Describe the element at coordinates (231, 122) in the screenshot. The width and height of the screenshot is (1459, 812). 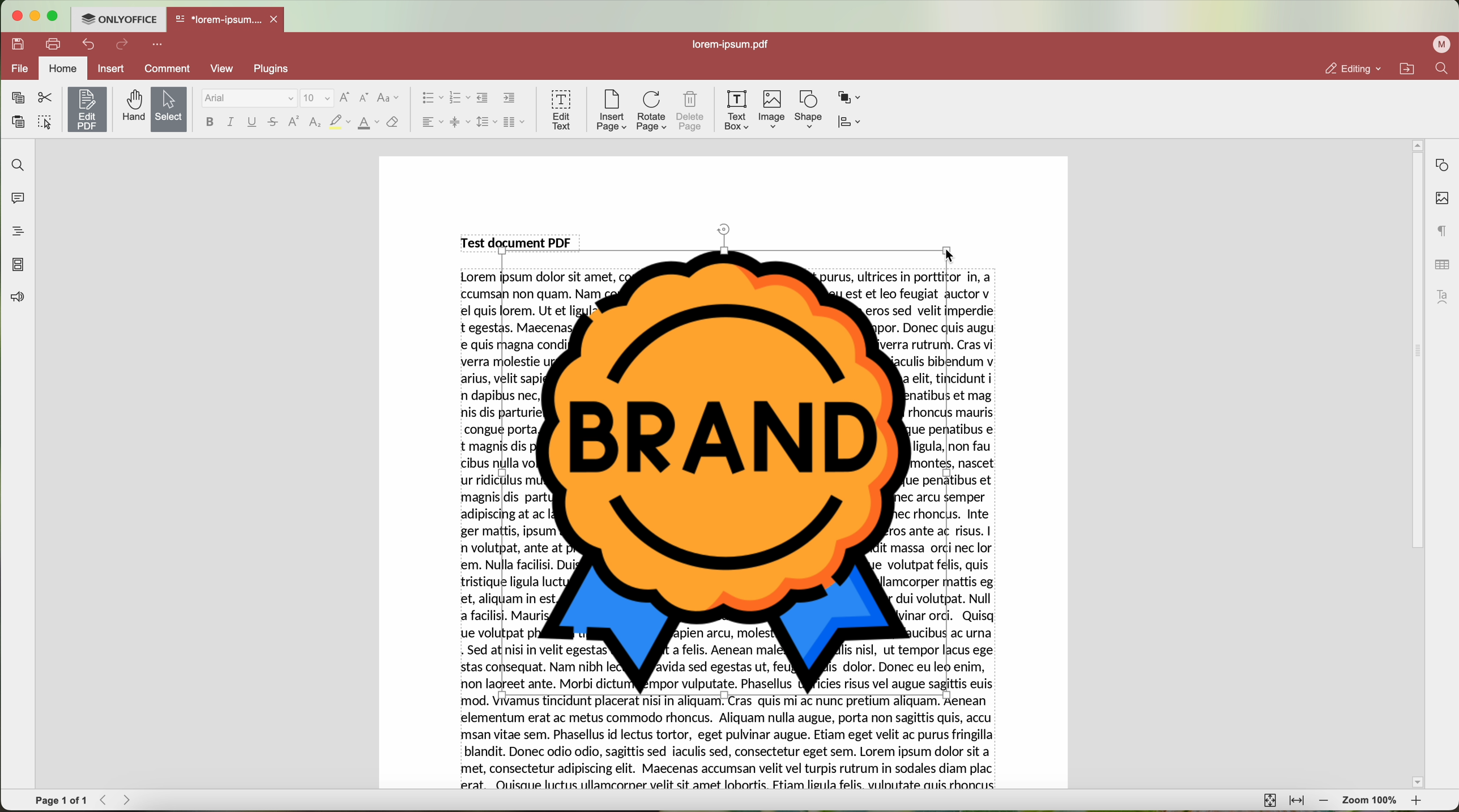
I see `italic` at that location.